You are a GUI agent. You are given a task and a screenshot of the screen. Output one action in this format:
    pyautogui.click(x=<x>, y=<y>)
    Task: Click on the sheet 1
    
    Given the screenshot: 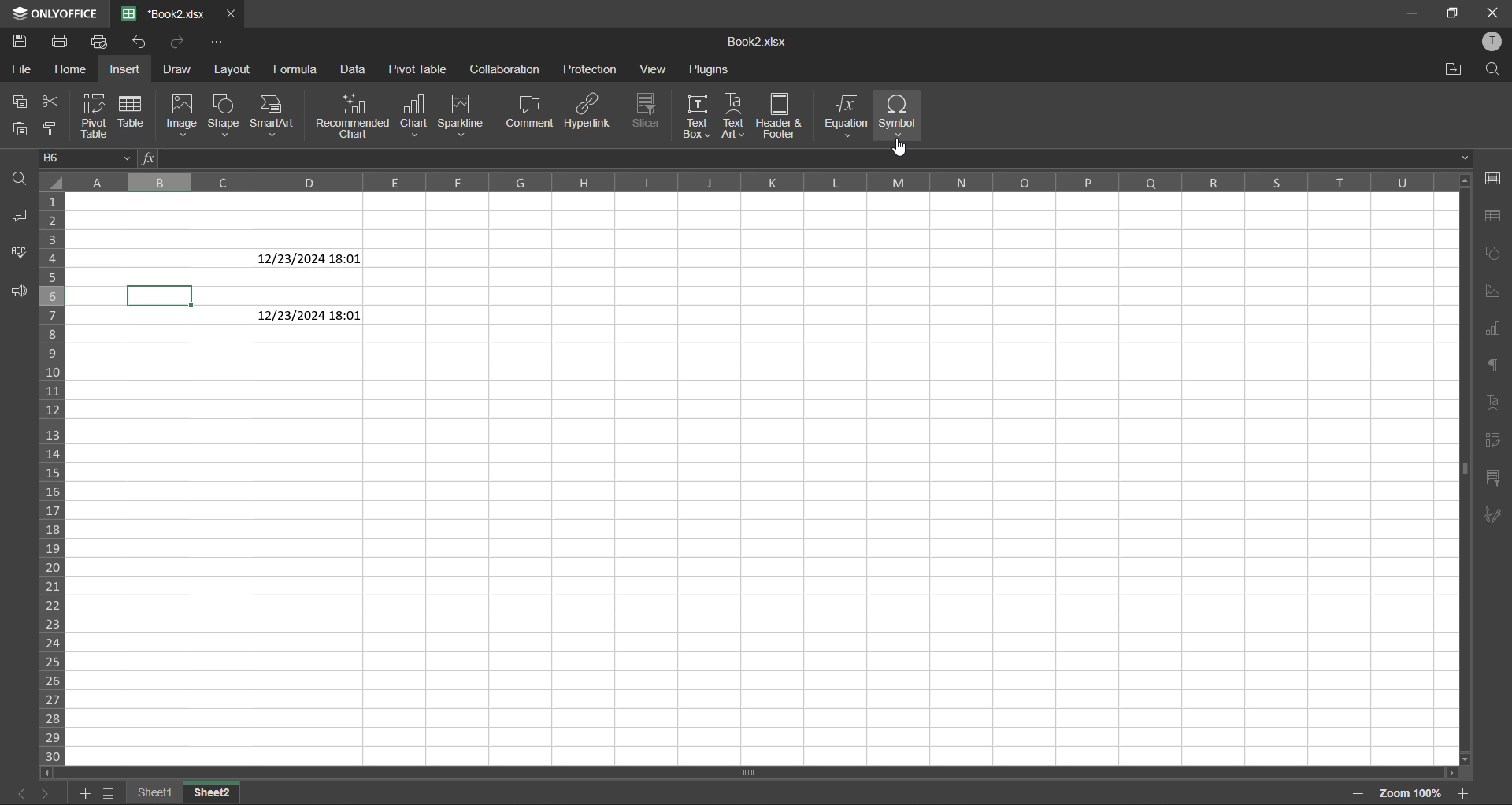 What is the action you would take?
    pyautogui.click(x=156, y=792)
    